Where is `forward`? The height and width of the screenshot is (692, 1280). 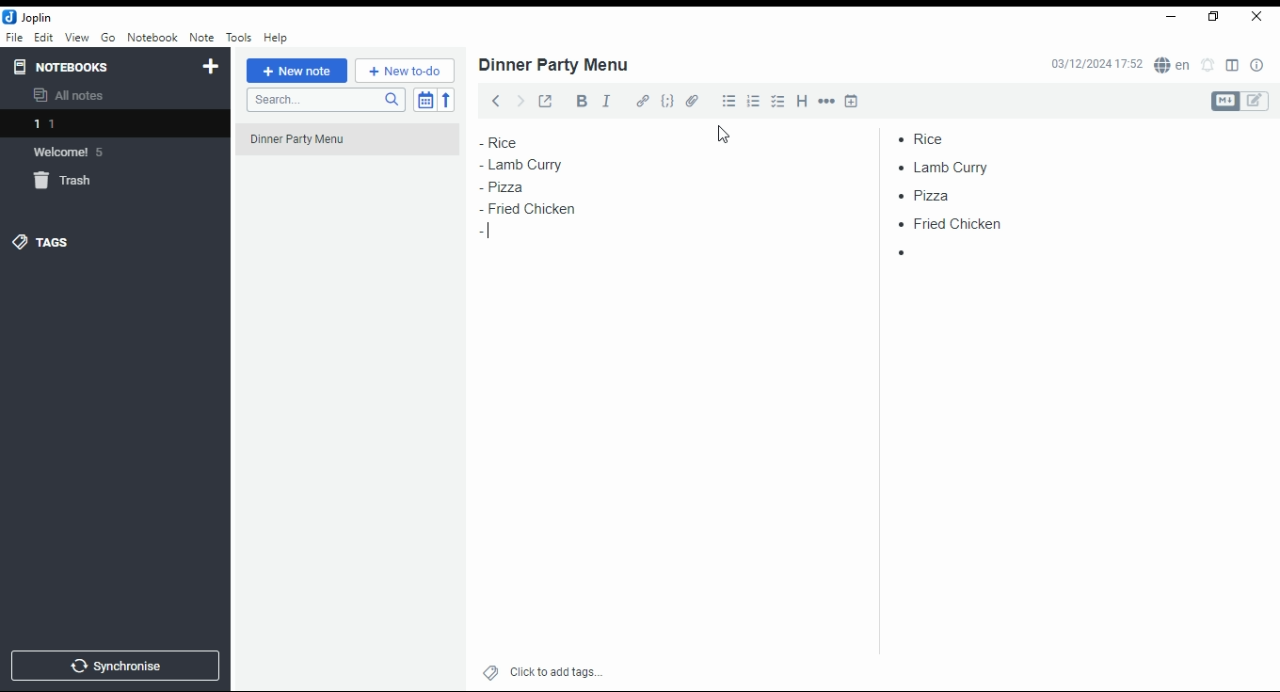
forward is located at coordinates (519, 98).